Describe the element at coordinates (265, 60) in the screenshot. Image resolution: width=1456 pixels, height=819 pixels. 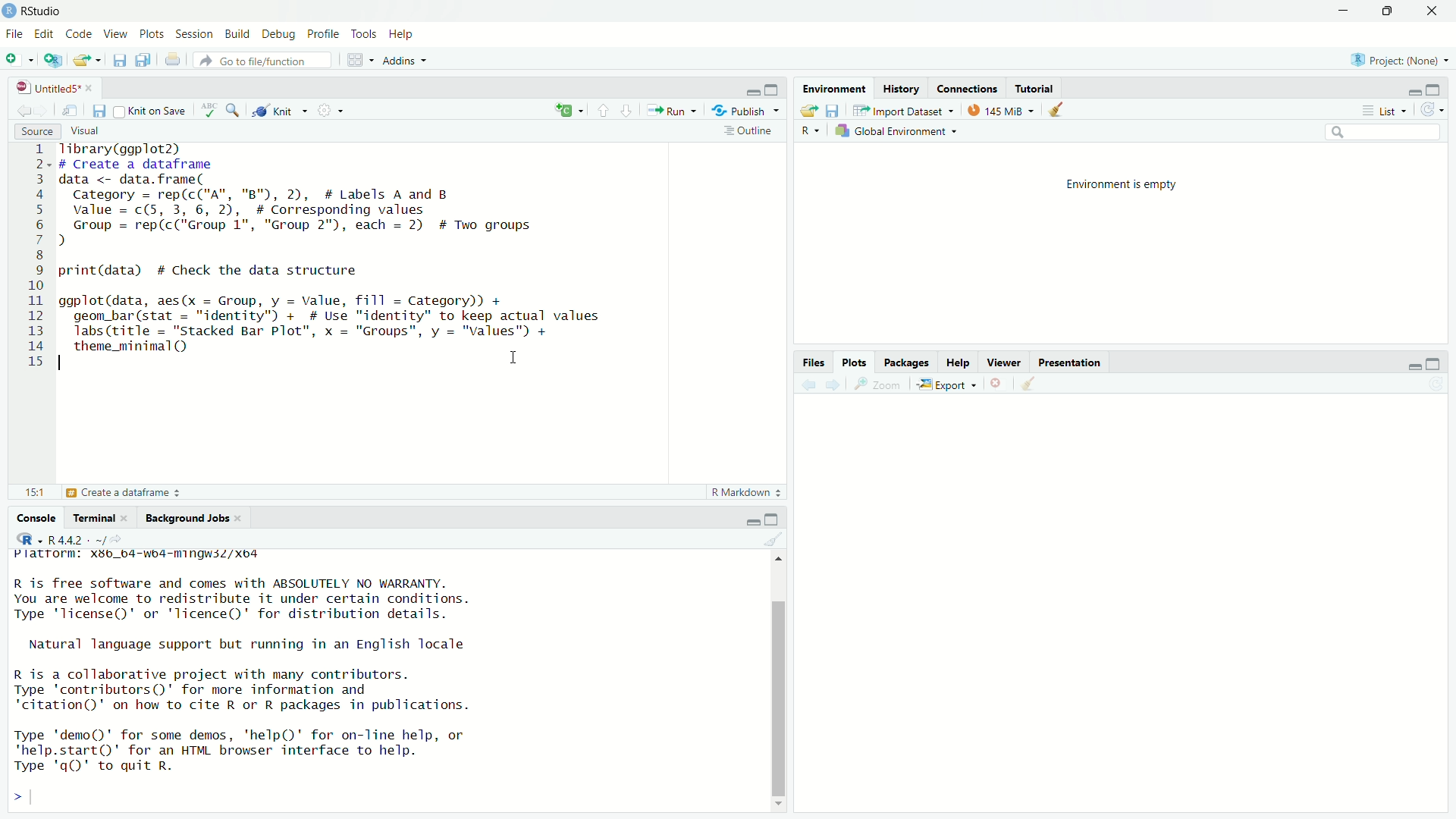
I see `Go to file/function` at that location.